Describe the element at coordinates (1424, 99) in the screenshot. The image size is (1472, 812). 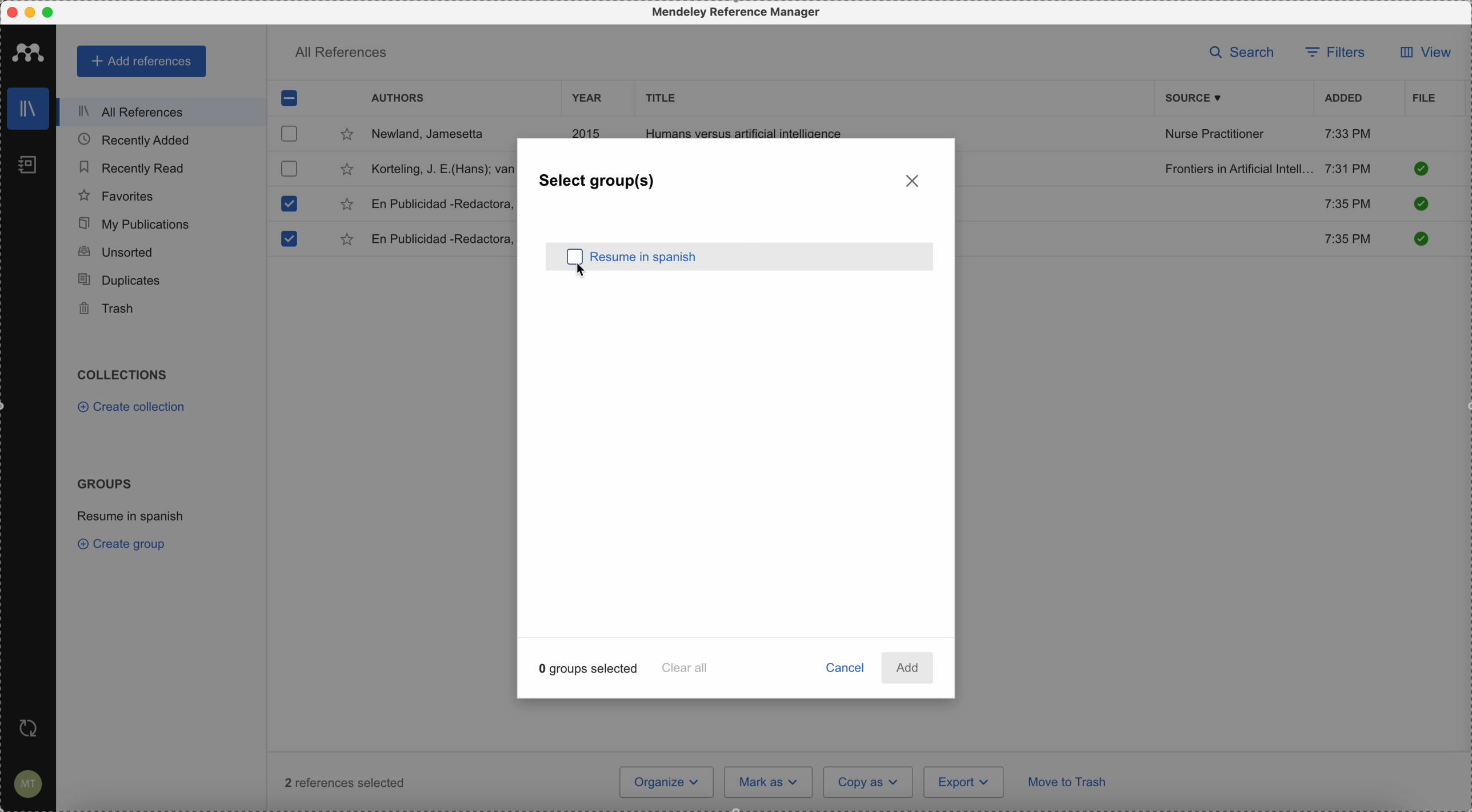
I see `file` at that location.